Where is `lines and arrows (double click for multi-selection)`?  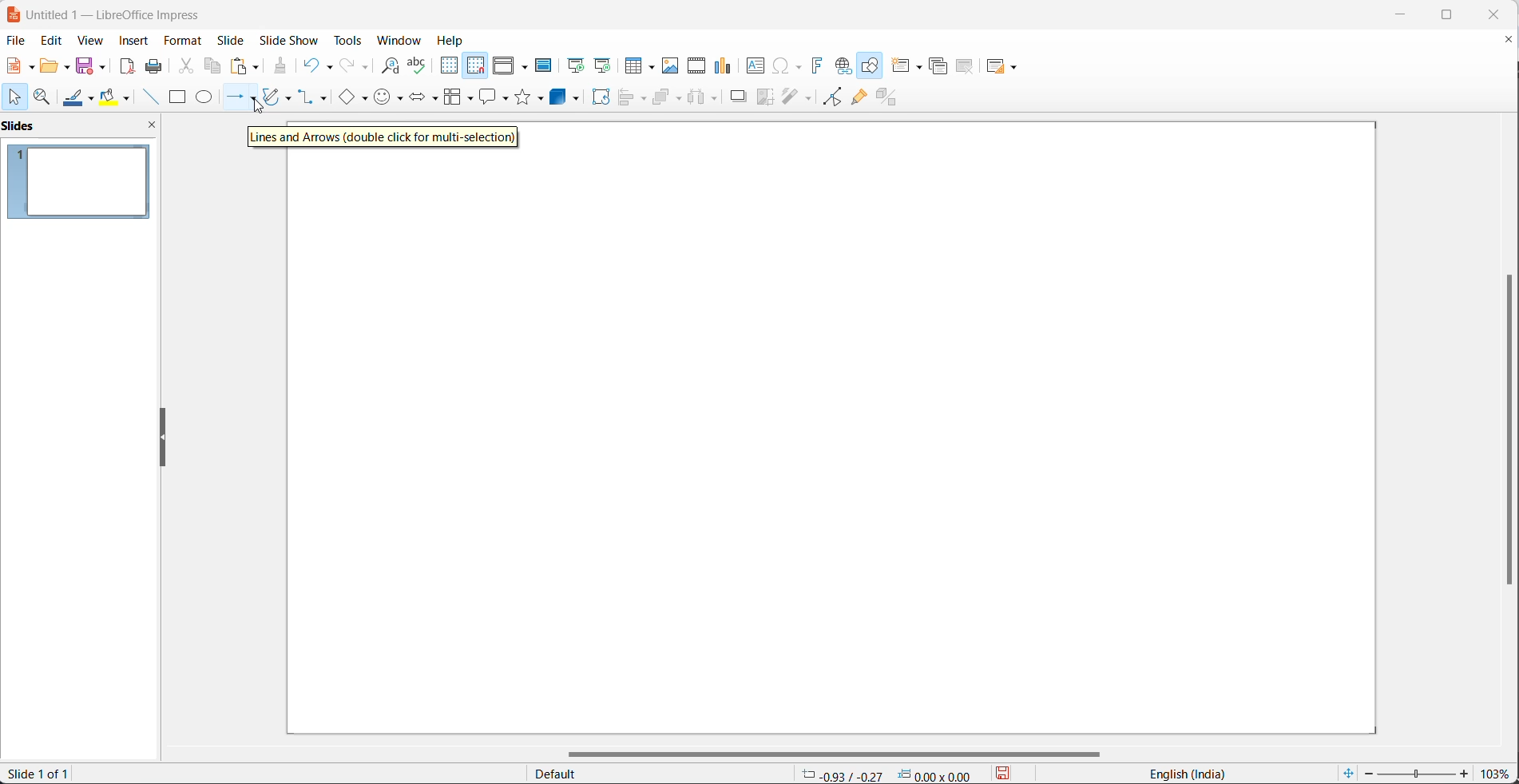
lines and arrows (double click for multi-selection) is located at coordinates (384, 137).